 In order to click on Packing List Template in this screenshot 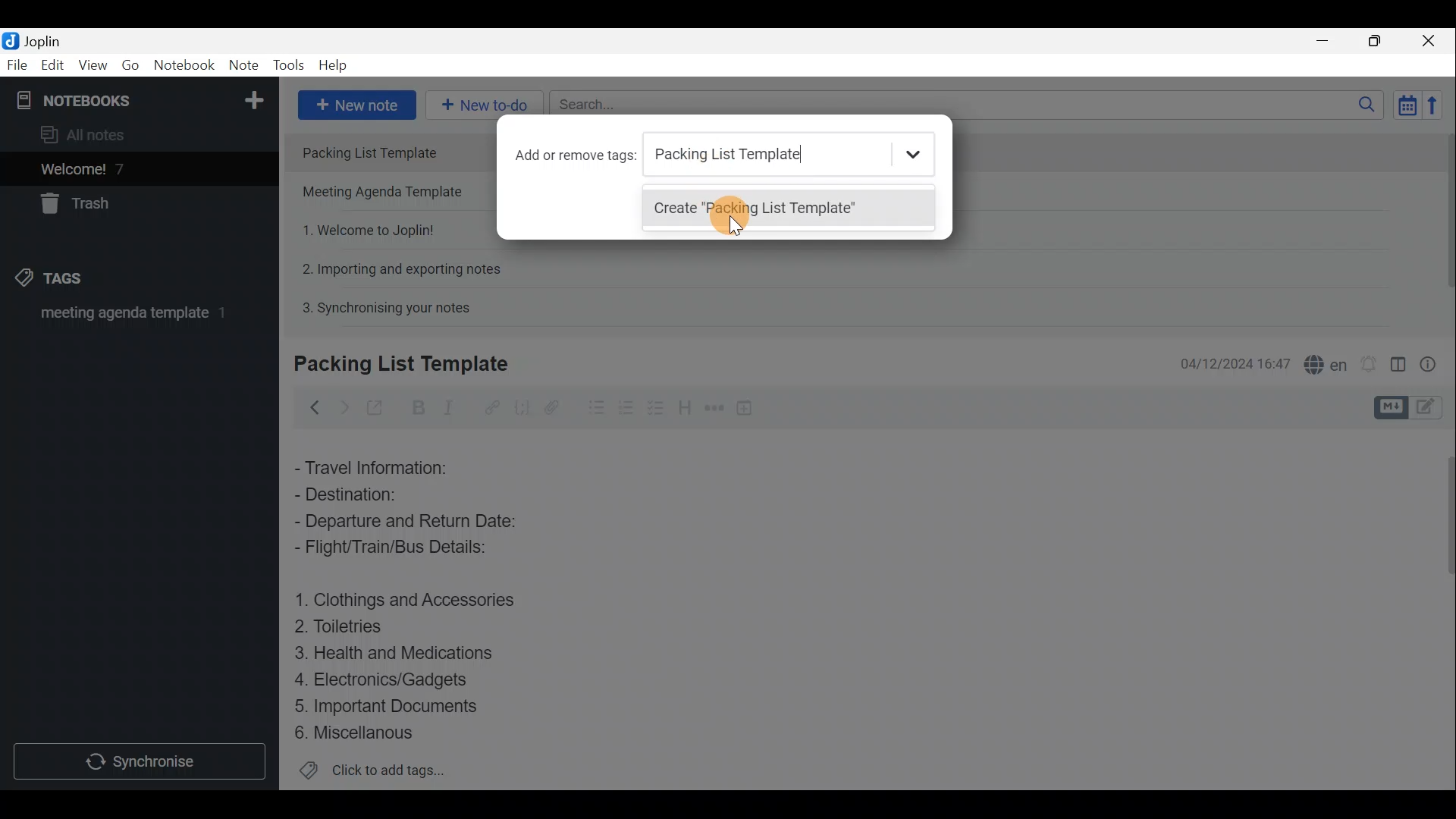, I will do `click(391, 152)`.